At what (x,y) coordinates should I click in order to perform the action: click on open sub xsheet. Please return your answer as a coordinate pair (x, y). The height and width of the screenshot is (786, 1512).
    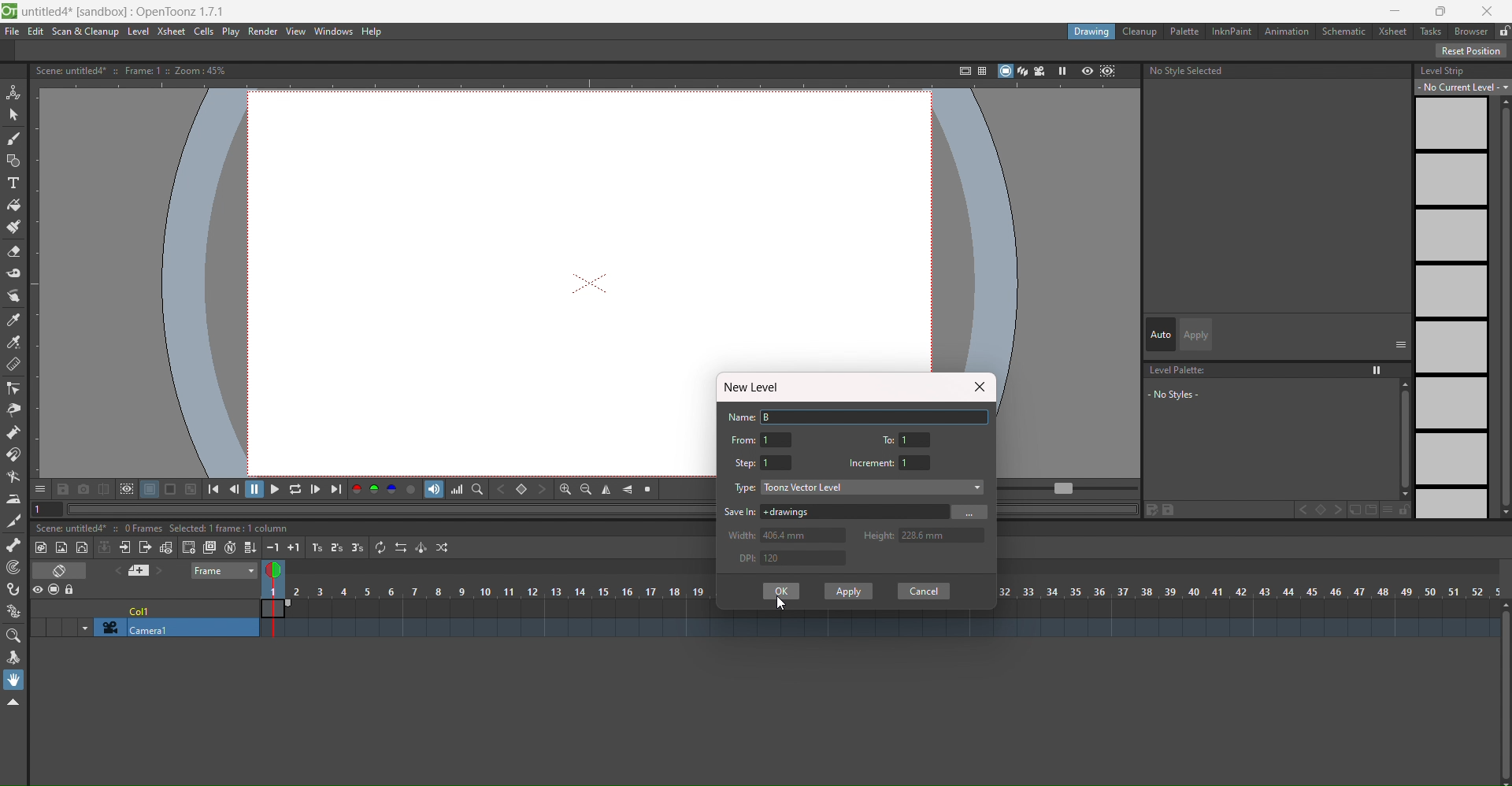
    Looking at the image, I should click on (124, 547).